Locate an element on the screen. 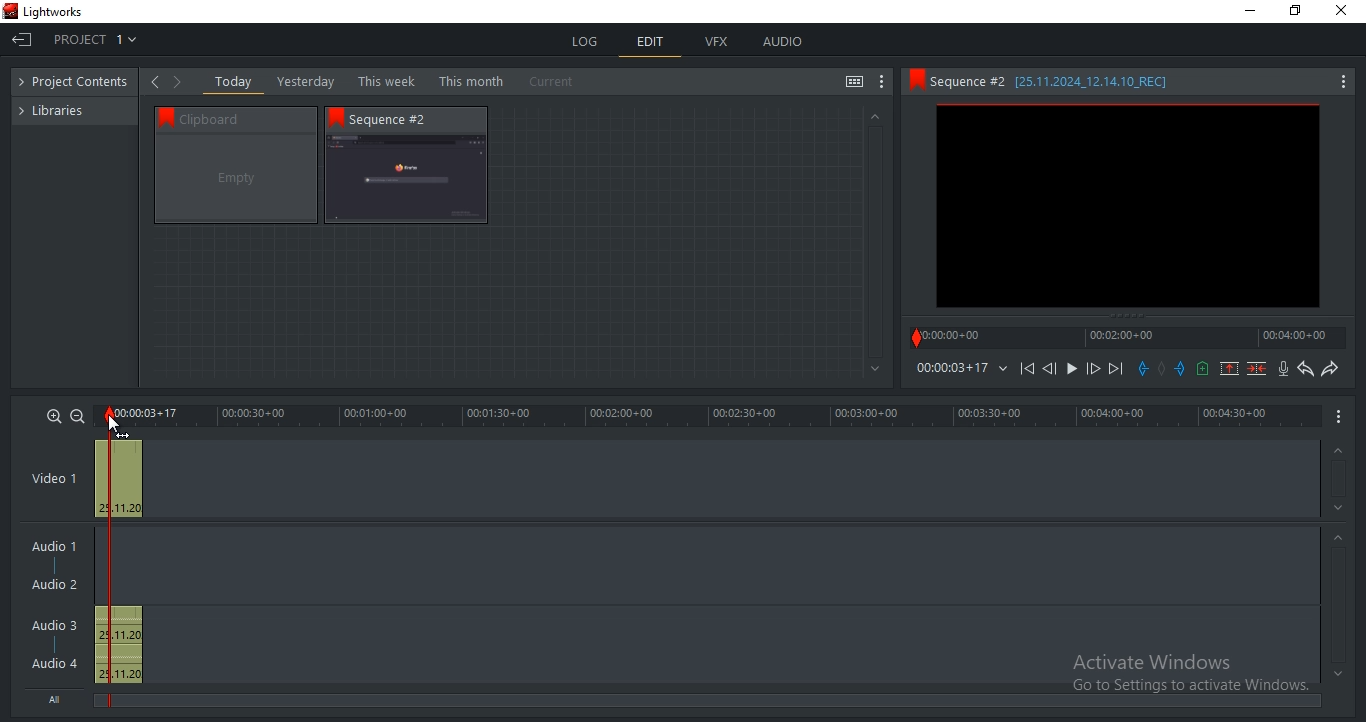 The width and height of the screenshot is (1366, 722). Audio 4 is located at coordinates (55, 662).